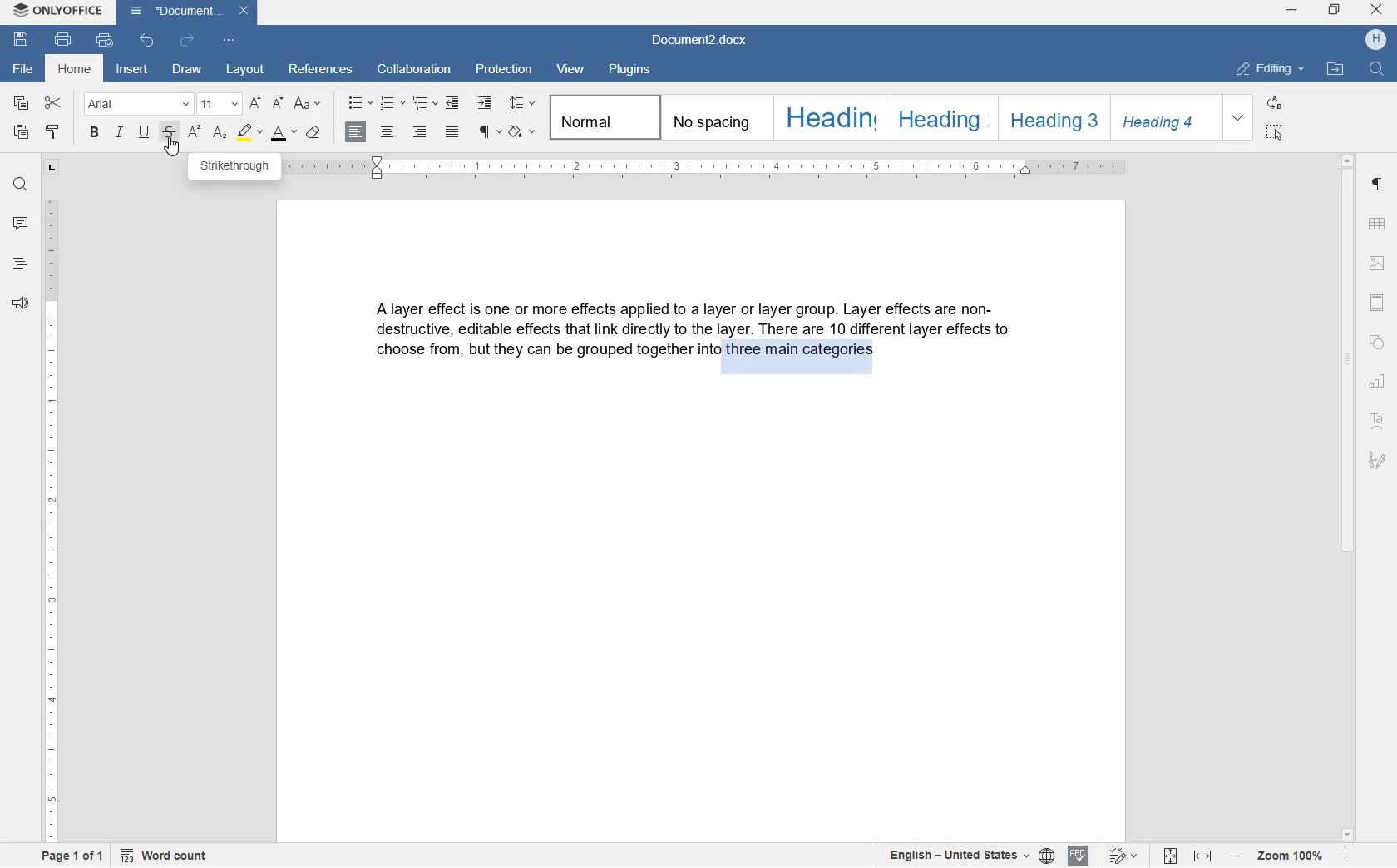 The width and height of the screenshot is (1397, 868). What do you see at coordinates (187, 12) in the screenshot?
I see `document2.docx` at bounding box center [187, 12].